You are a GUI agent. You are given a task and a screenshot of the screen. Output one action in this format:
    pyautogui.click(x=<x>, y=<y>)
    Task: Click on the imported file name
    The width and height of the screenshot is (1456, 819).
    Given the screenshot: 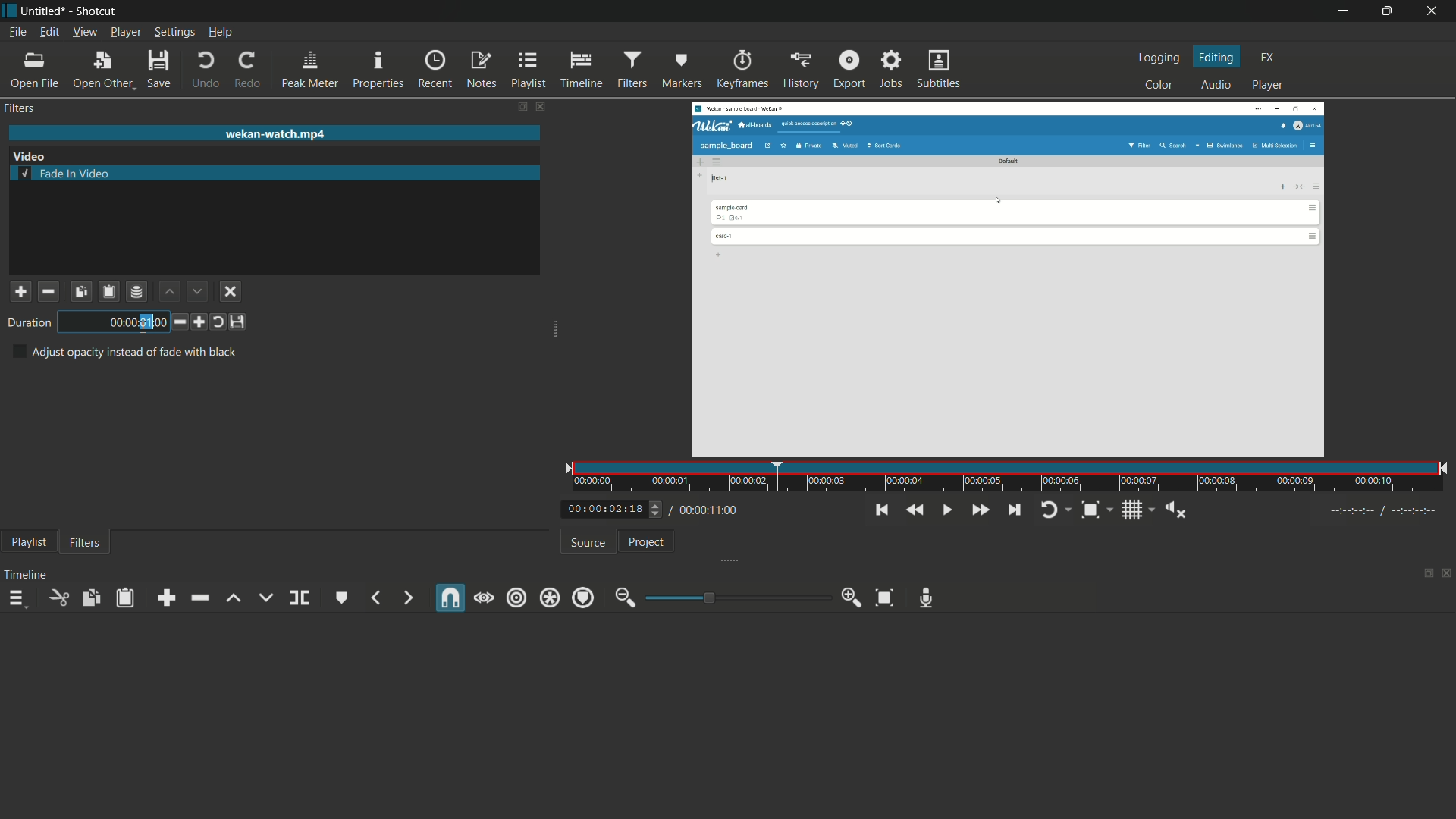 What is the action you would take?
    pyautogui.click(x=275, y=134)
    